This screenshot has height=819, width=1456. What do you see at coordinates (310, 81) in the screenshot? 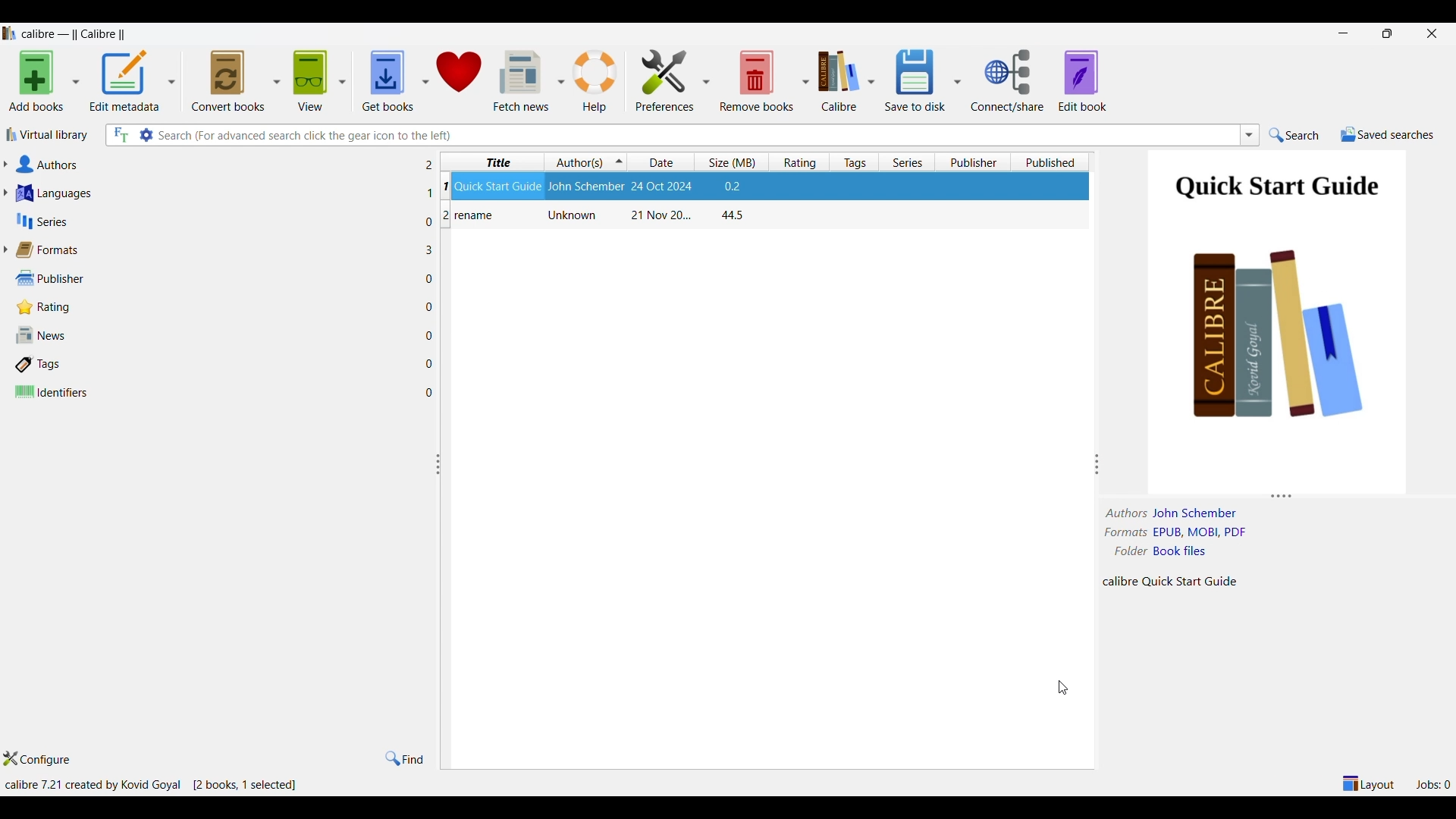
I see `View` at bounding box center [310, 81].